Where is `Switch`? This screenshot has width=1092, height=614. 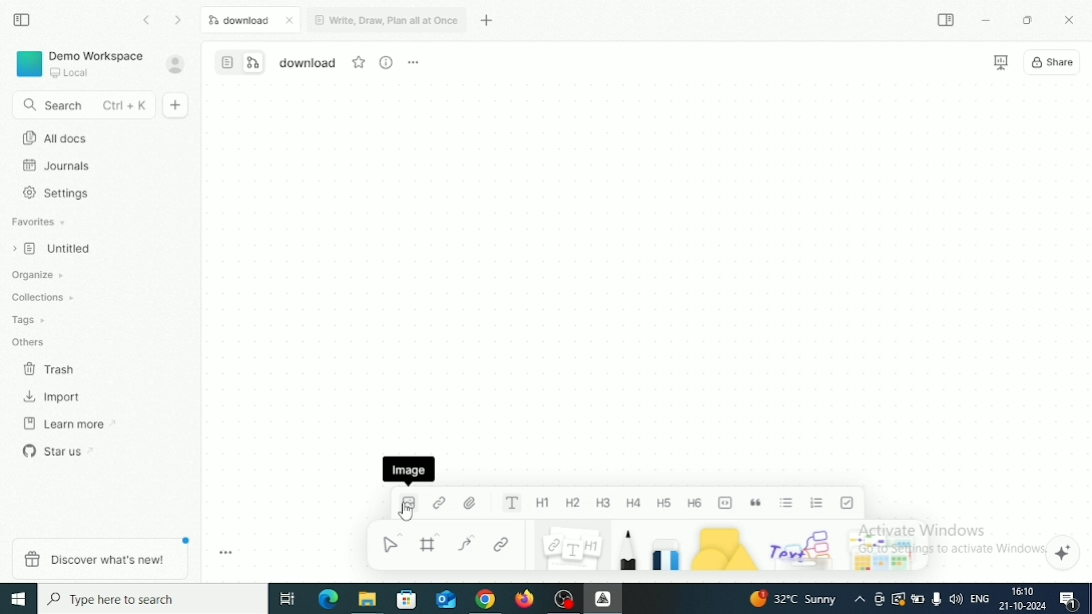 Switch is located at coordinates (240, 62).